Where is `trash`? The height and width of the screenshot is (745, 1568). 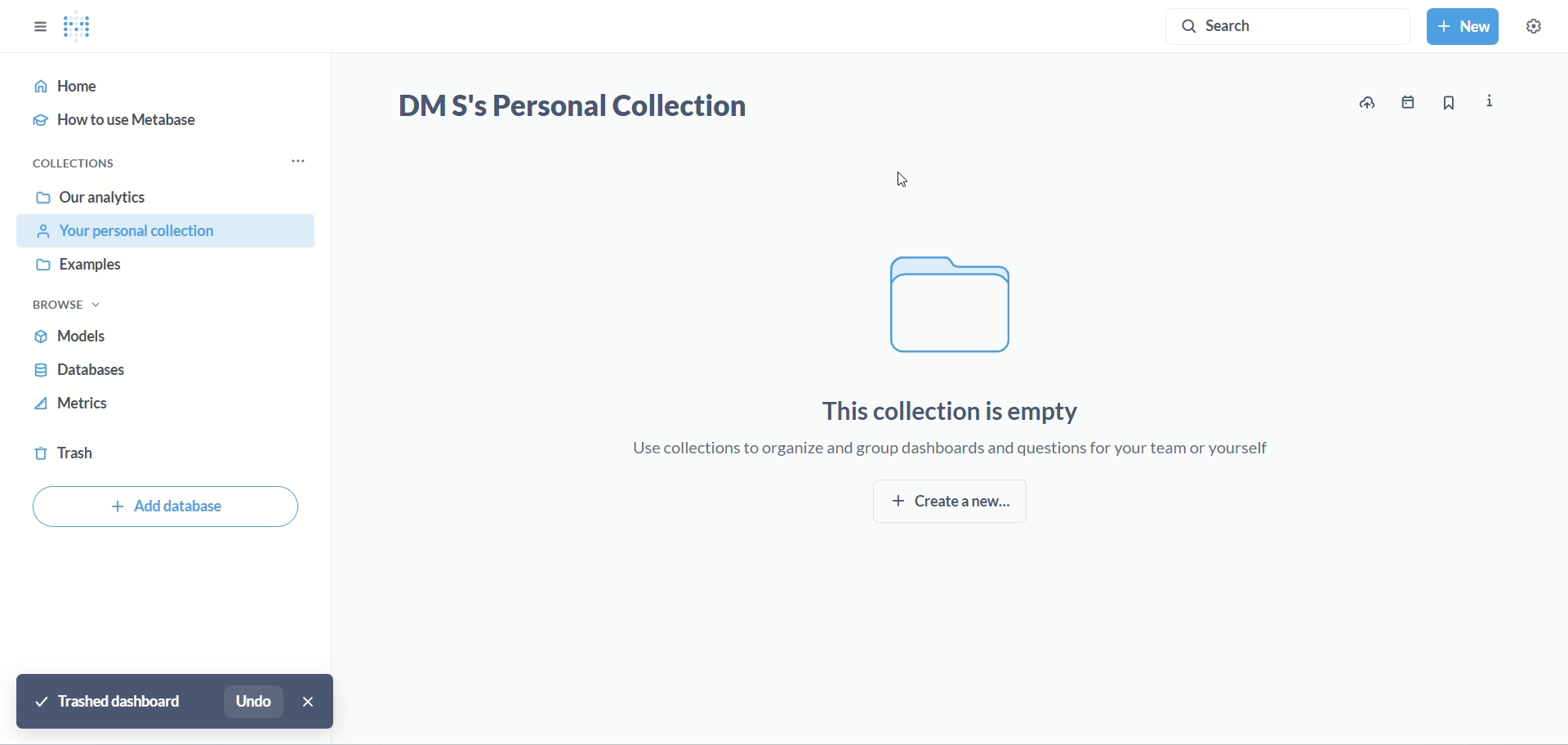
trash is located at coordinates (69, 457).